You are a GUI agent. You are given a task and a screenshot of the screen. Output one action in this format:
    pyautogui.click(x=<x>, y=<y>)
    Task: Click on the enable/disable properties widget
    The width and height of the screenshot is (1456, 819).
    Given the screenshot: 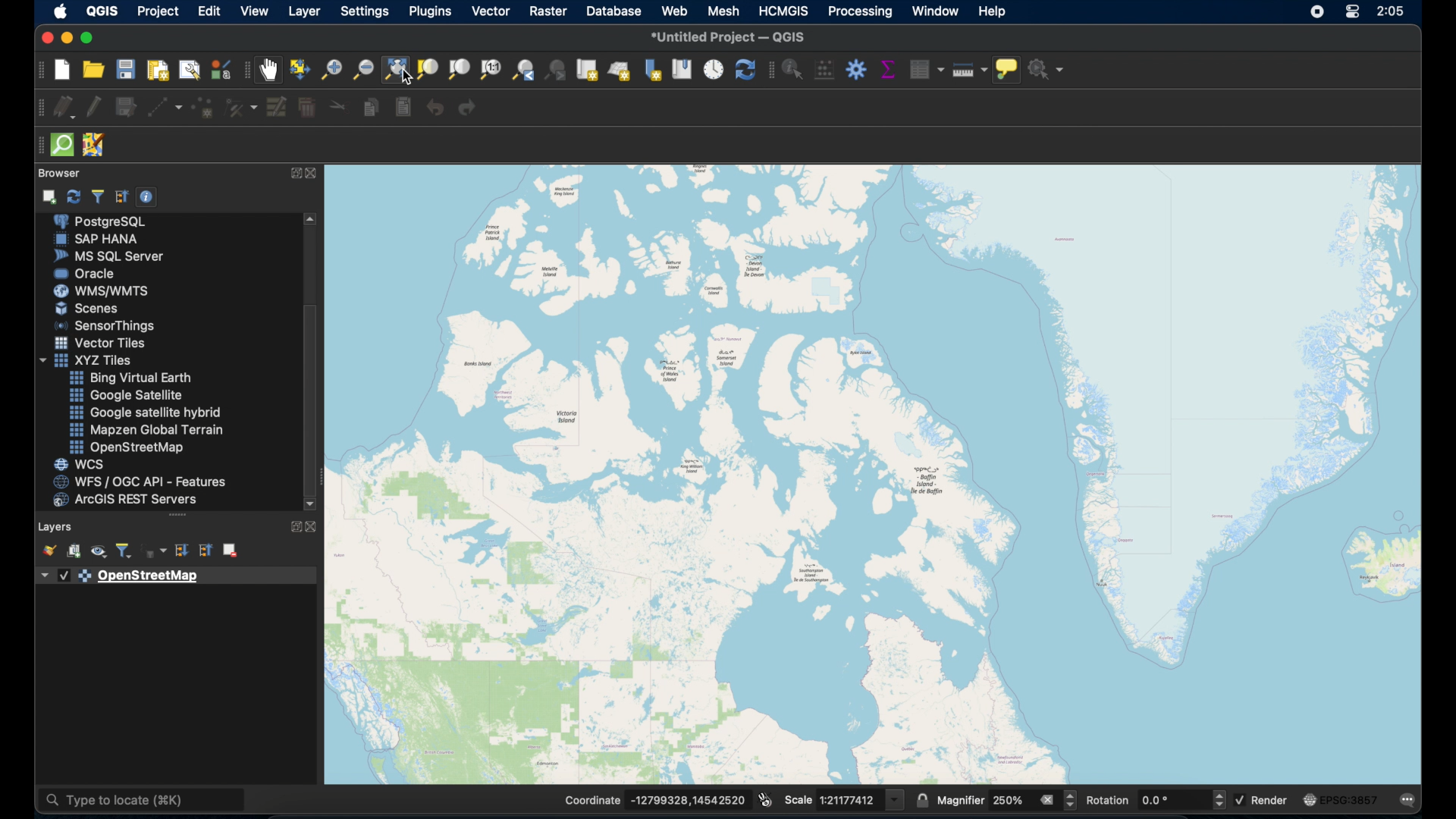 What is the action you would take?
    pyautogui.click(x=146, y=196)
    